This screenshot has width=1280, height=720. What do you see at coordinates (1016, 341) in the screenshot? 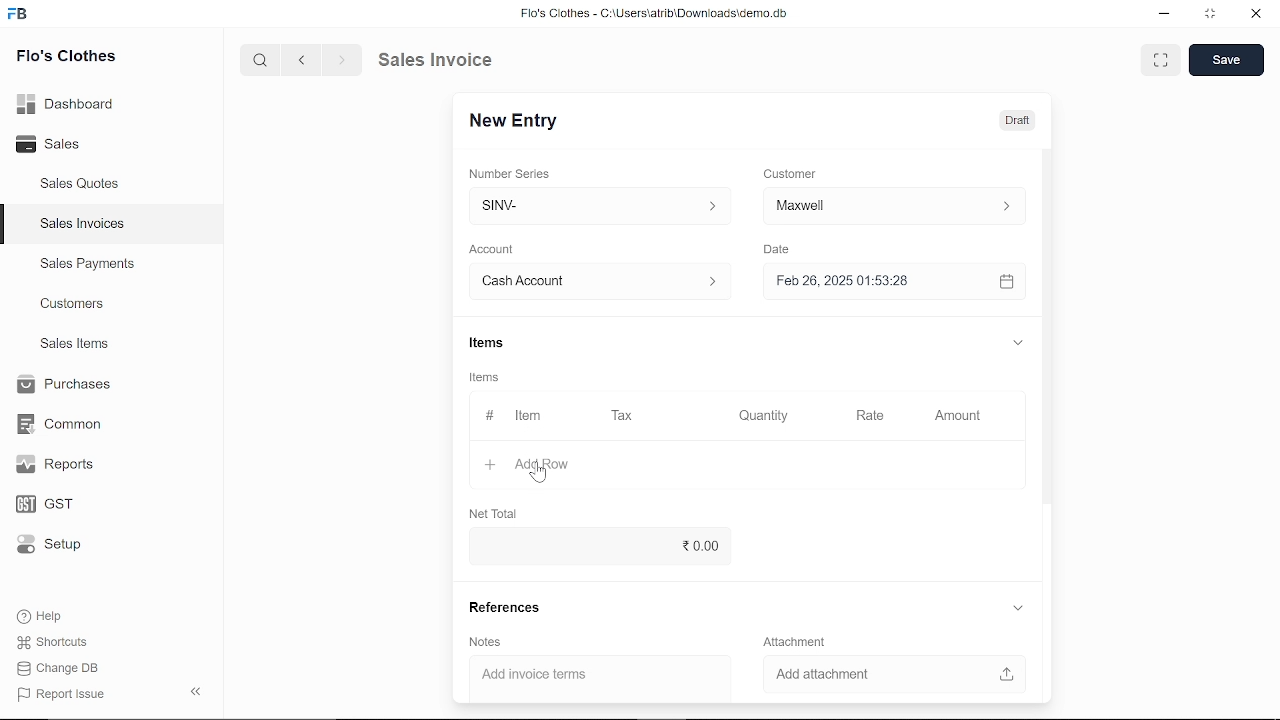
I see `expand` at bounding box center [1016, 341].